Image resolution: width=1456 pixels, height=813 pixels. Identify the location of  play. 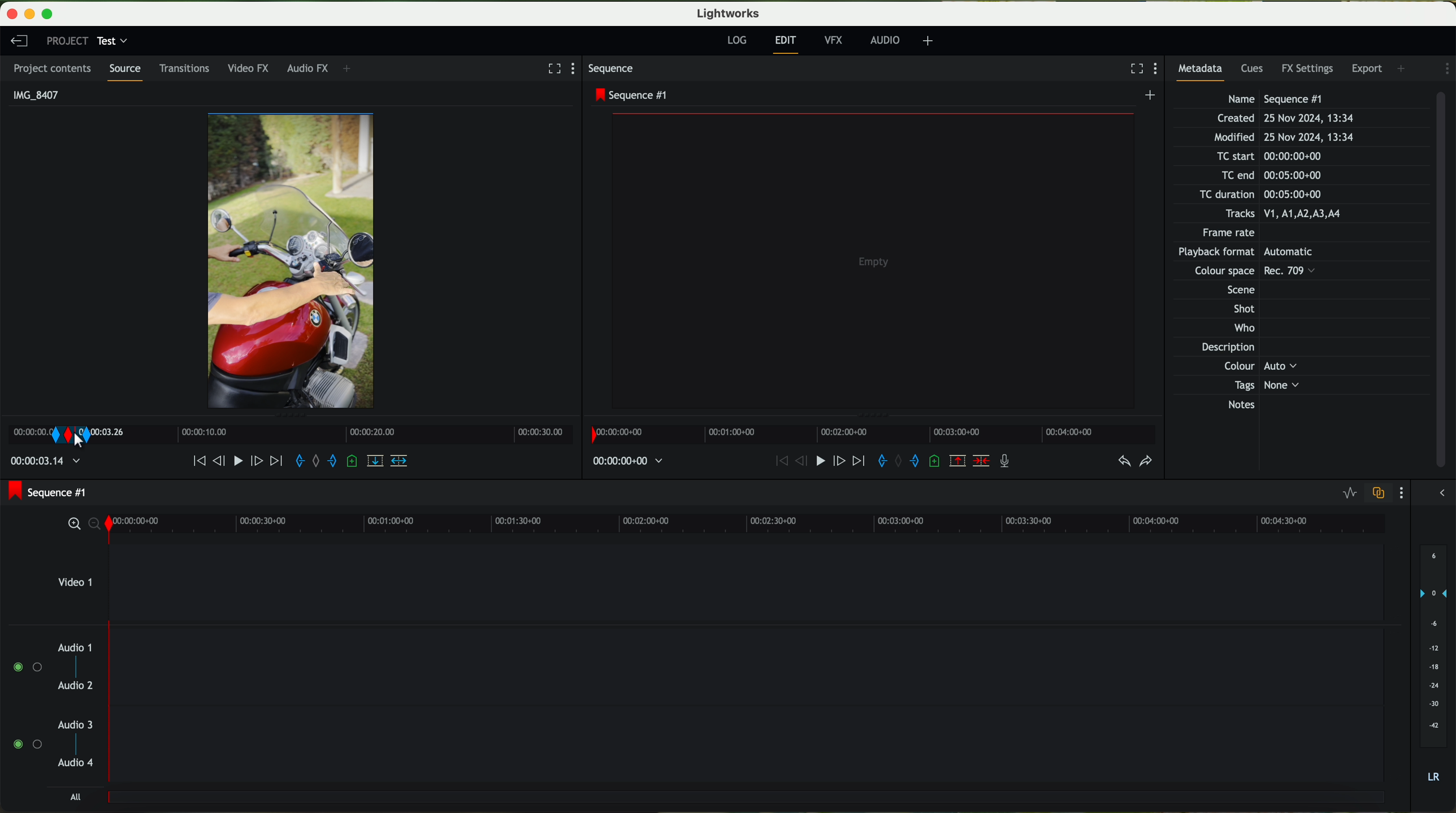
(241, 461).